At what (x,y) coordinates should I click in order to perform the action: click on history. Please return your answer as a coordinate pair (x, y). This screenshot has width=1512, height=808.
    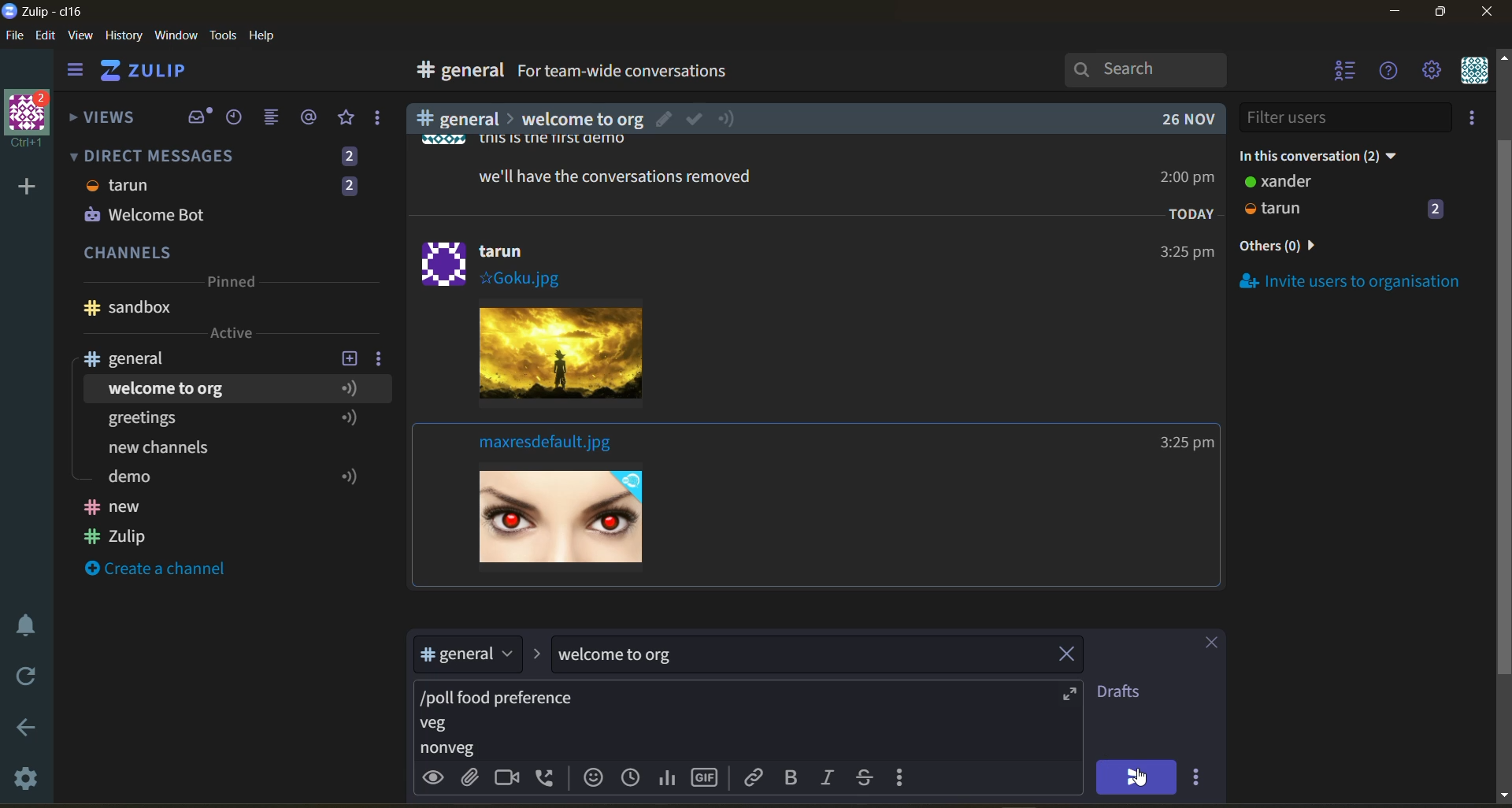
    Looking at the image, I should click on (124, 39).